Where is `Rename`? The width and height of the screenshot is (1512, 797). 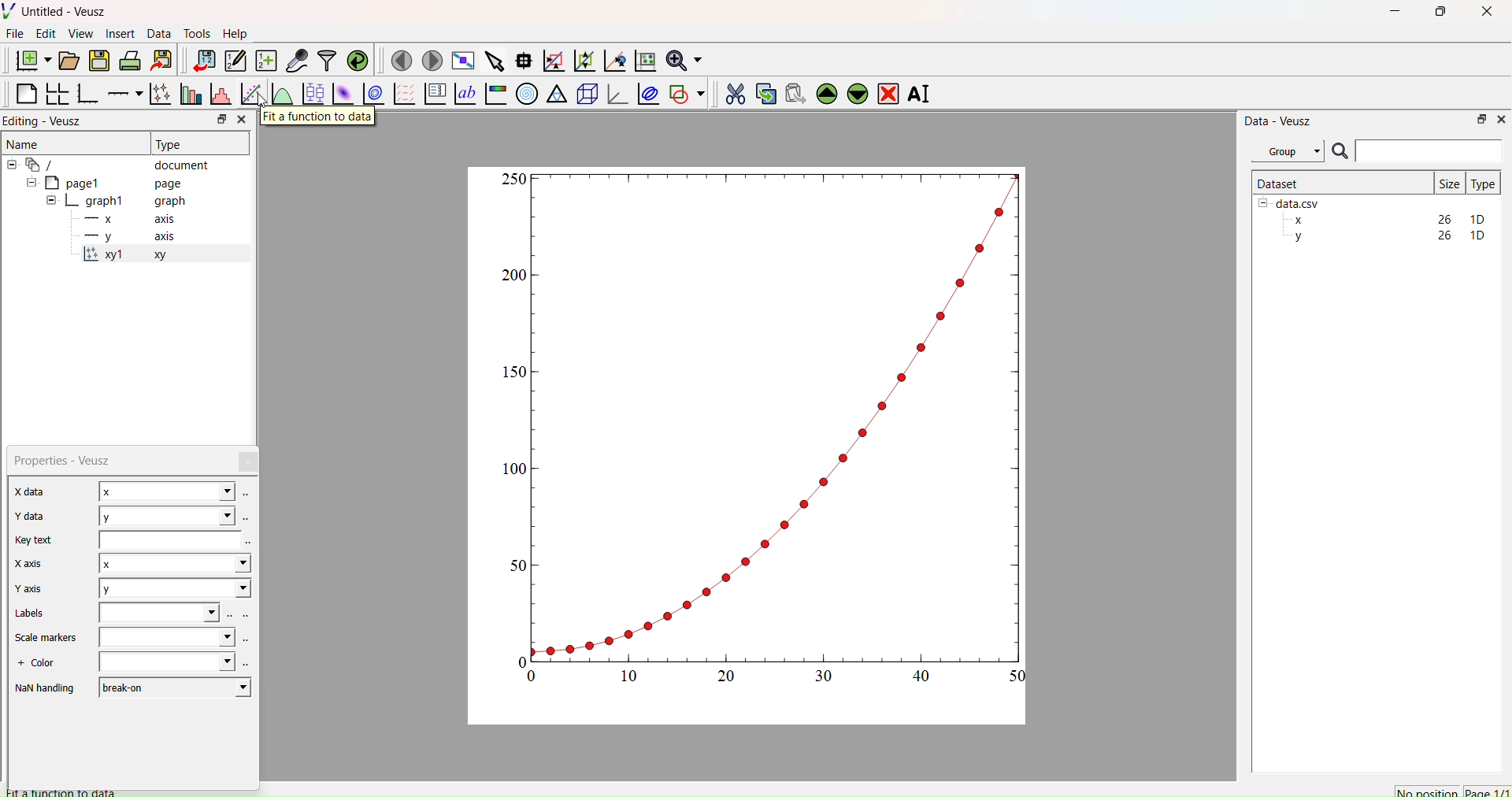 Rename is located at coordinates (922, 94).